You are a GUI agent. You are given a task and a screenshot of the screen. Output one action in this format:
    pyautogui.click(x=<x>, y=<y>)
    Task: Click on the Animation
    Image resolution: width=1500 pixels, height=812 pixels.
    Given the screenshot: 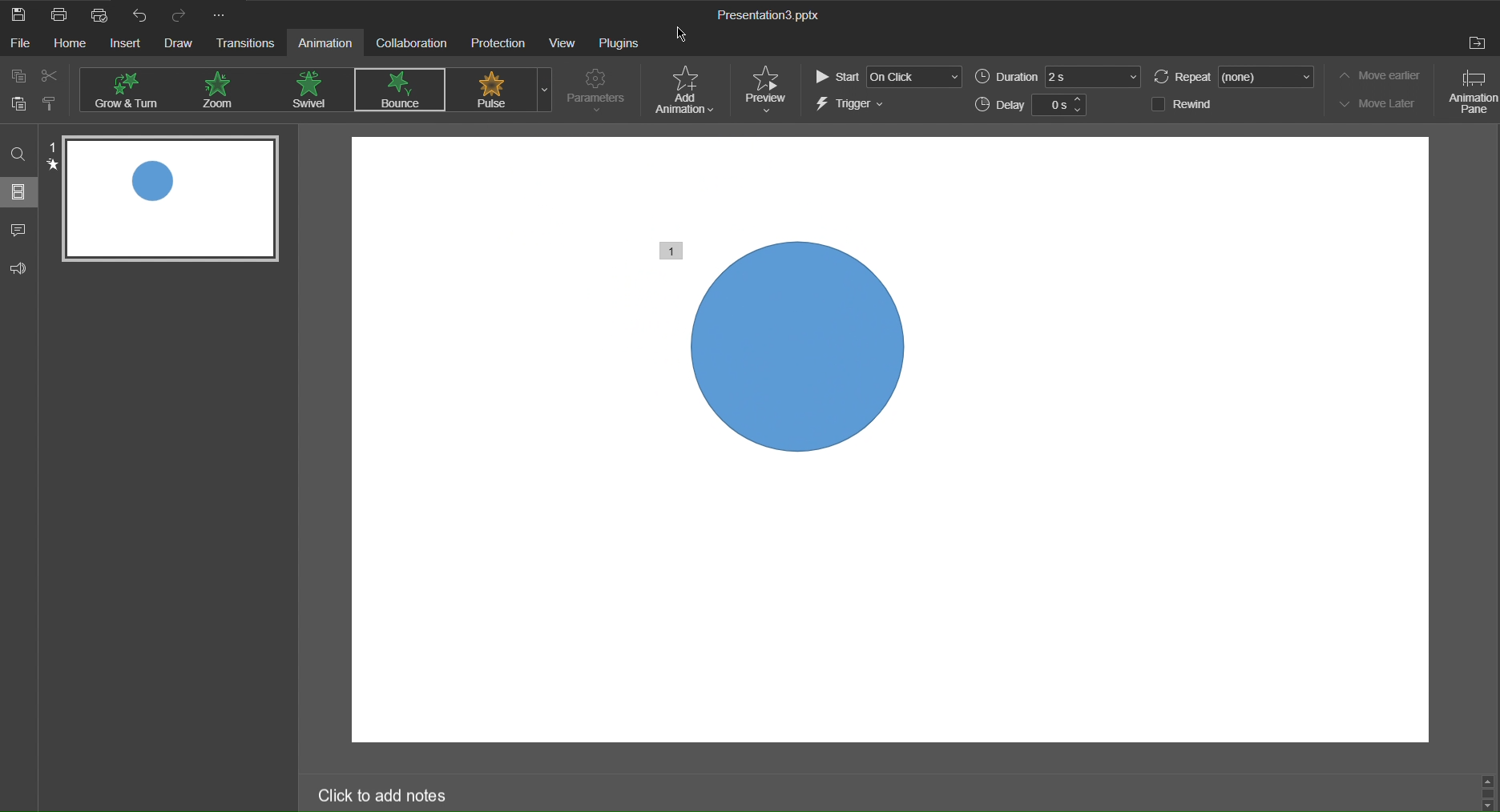 What is the action you would take?
    pyautogui.click(x=329, y=44)
    